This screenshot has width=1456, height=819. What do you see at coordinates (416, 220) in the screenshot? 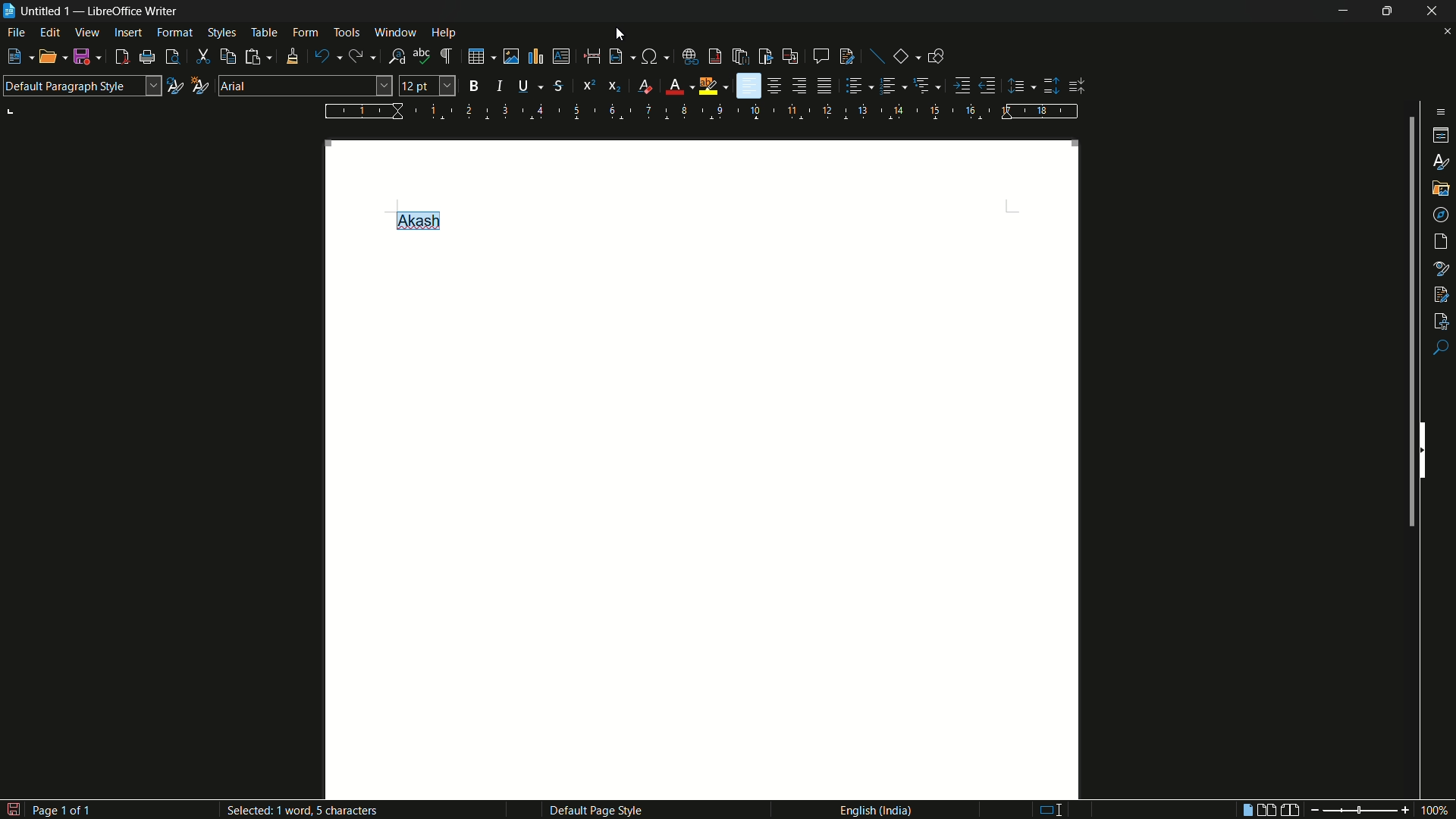
I see `font changed` at bounding box center [416, 220].